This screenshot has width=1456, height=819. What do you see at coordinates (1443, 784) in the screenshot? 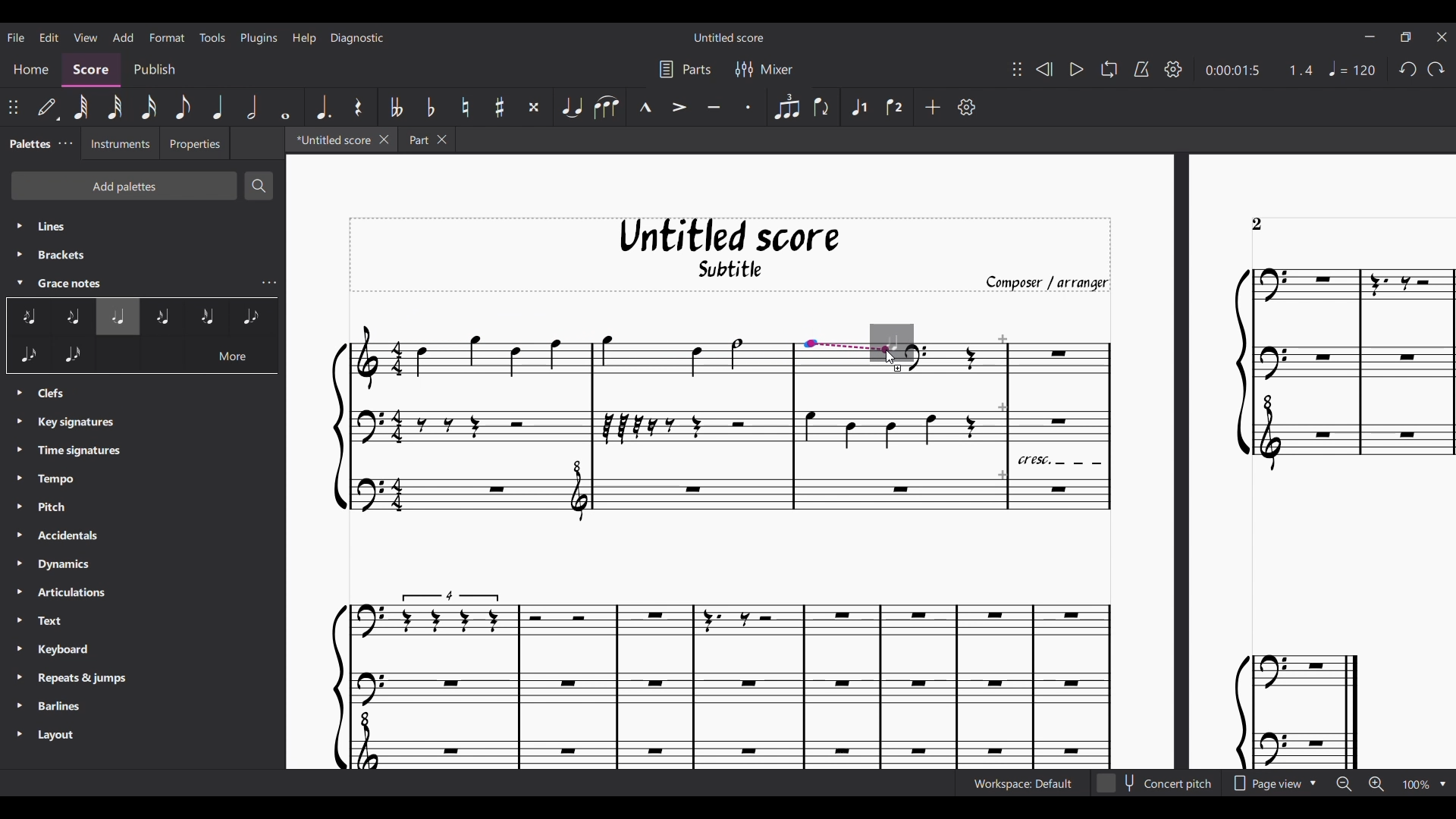
I see `Zoom options ` at bounding box center [1443, 784].